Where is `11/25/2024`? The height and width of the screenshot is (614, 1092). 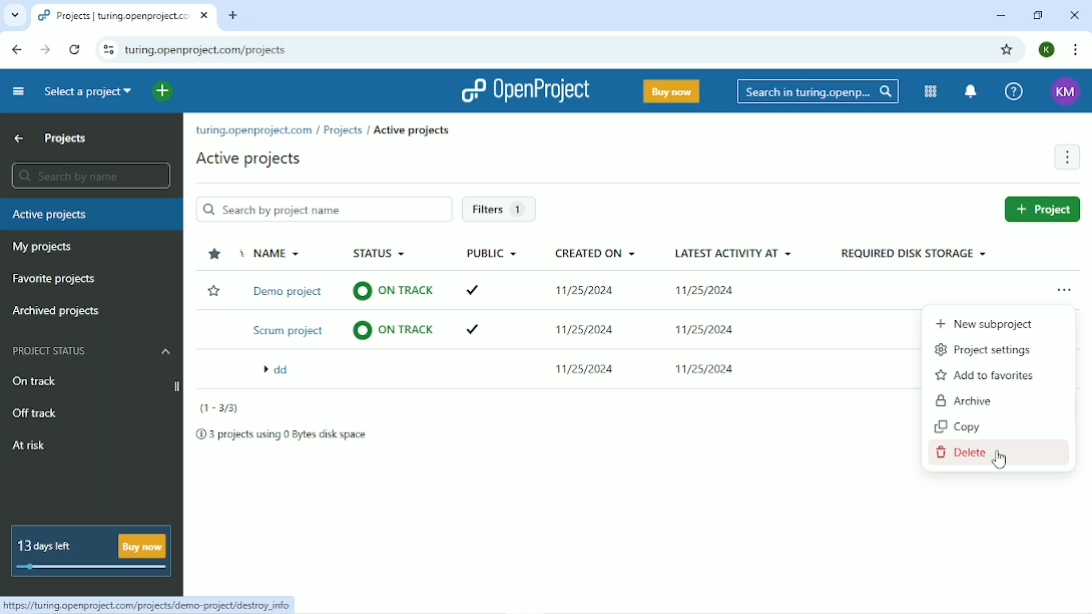
11/25/2024 is located at coordinates (576, 368).